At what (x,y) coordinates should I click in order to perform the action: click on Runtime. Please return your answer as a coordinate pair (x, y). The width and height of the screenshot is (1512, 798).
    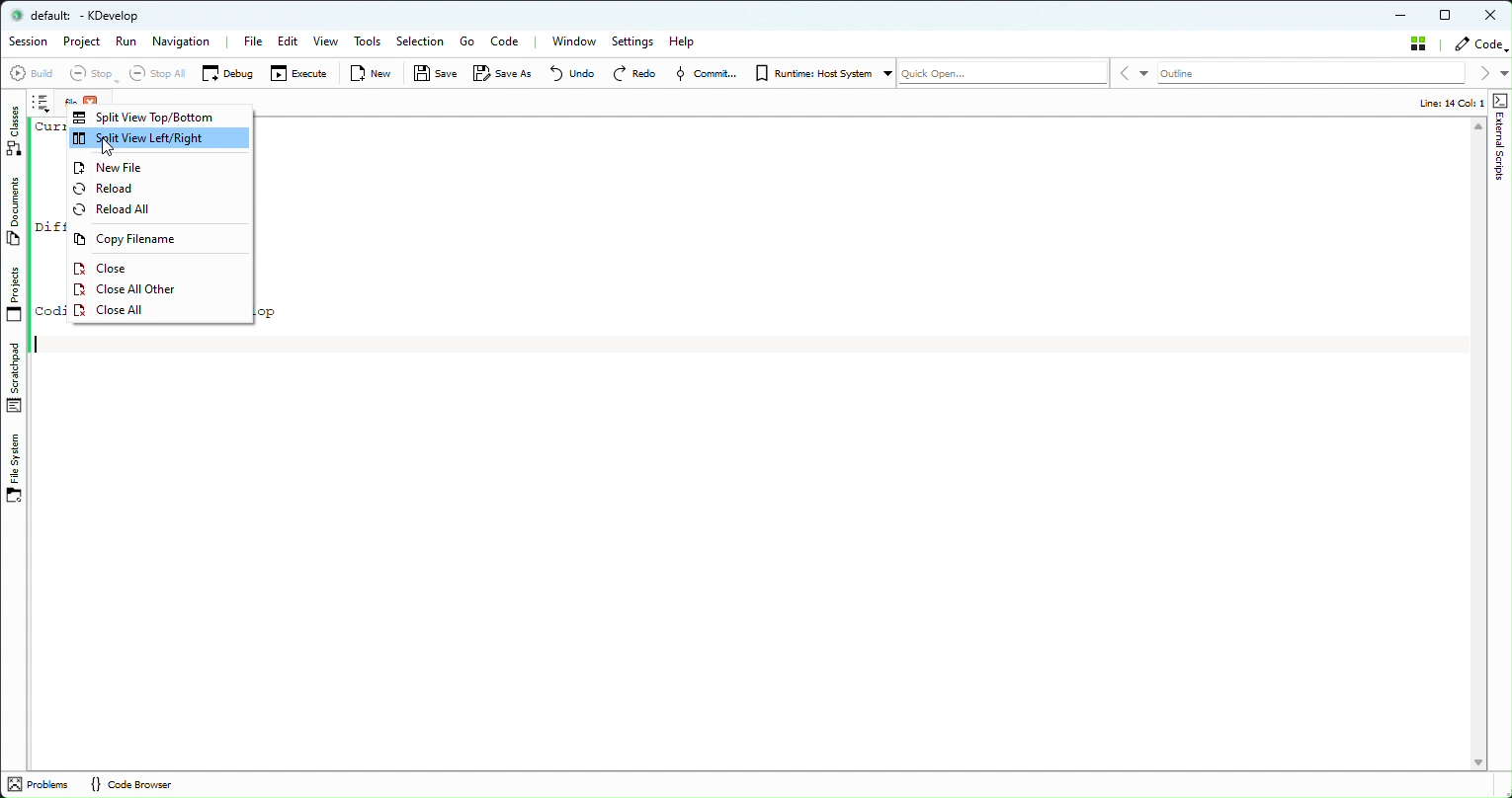
    Looking at the image, I should click on (824, 73).